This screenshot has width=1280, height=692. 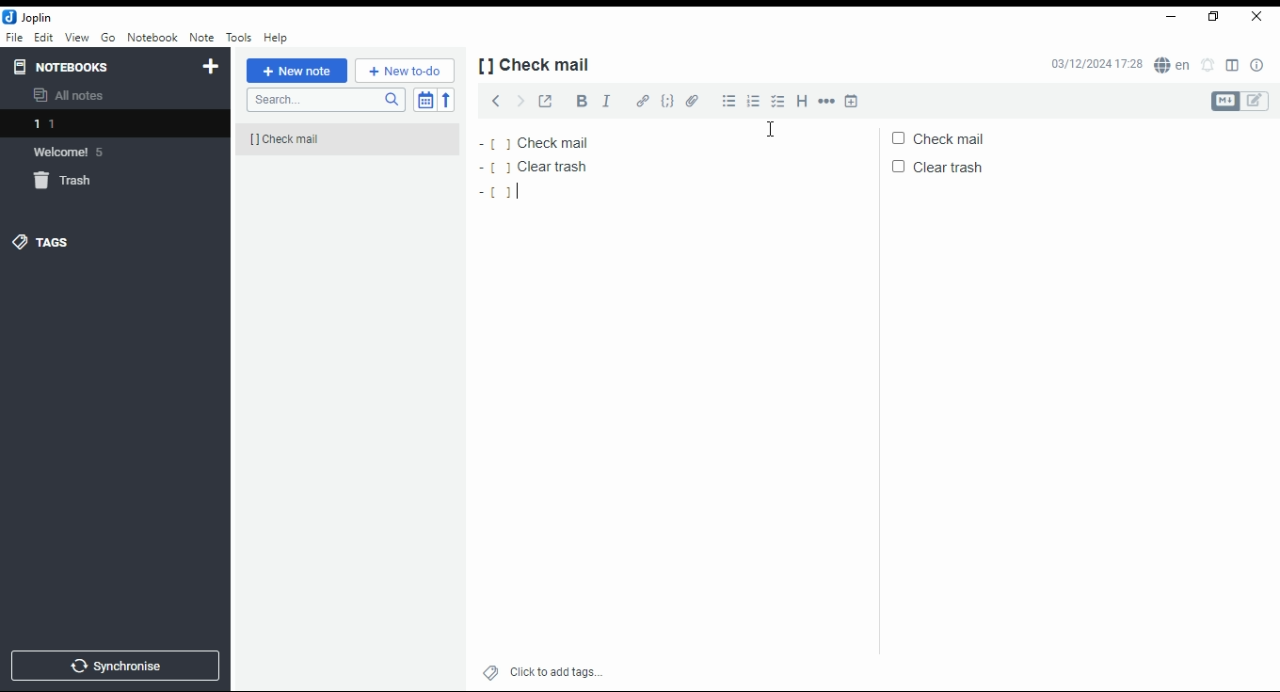 I want to click on checkbox list, so click(x=776, y=100).